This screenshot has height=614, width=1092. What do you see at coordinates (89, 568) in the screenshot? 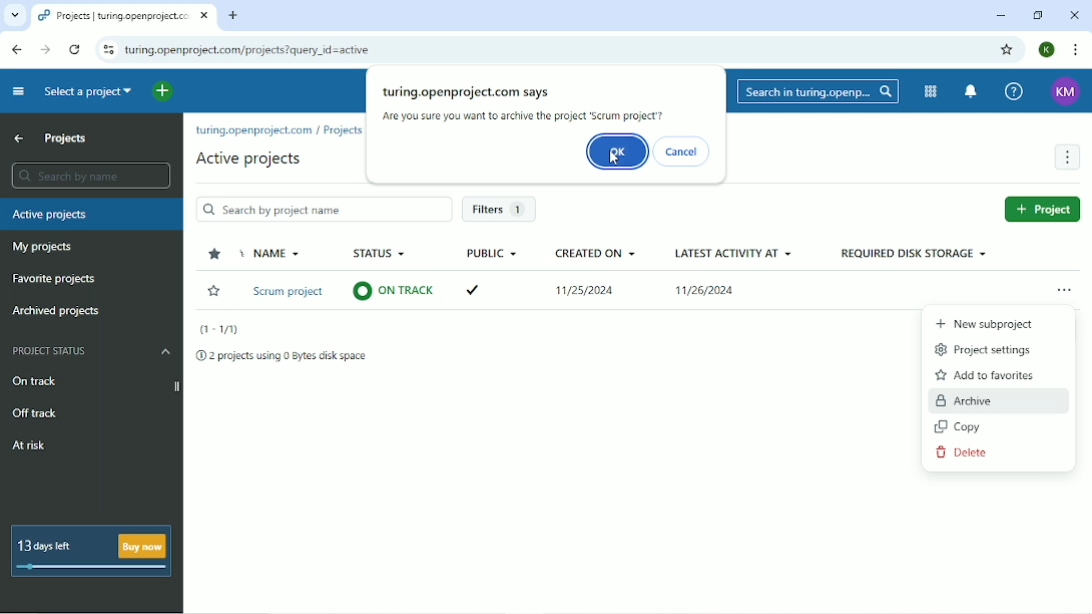
I see `days left` at bounding box center [89, 568].